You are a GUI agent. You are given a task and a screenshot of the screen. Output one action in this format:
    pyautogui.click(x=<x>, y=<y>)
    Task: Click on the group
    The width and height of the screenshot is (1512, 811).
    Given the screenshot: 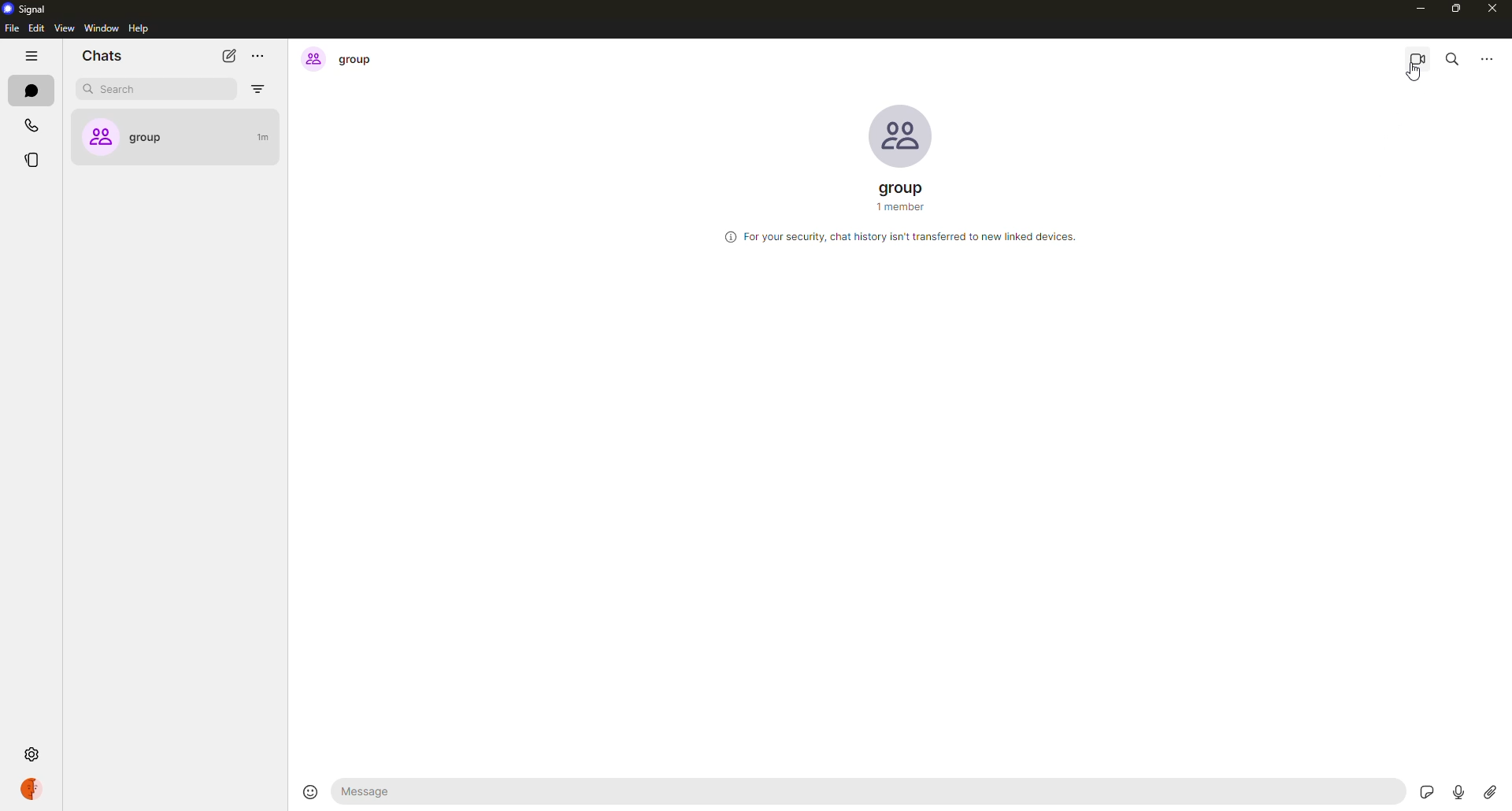 What is the action you would take?
    pyautogui.click(x=340, y=58)
    